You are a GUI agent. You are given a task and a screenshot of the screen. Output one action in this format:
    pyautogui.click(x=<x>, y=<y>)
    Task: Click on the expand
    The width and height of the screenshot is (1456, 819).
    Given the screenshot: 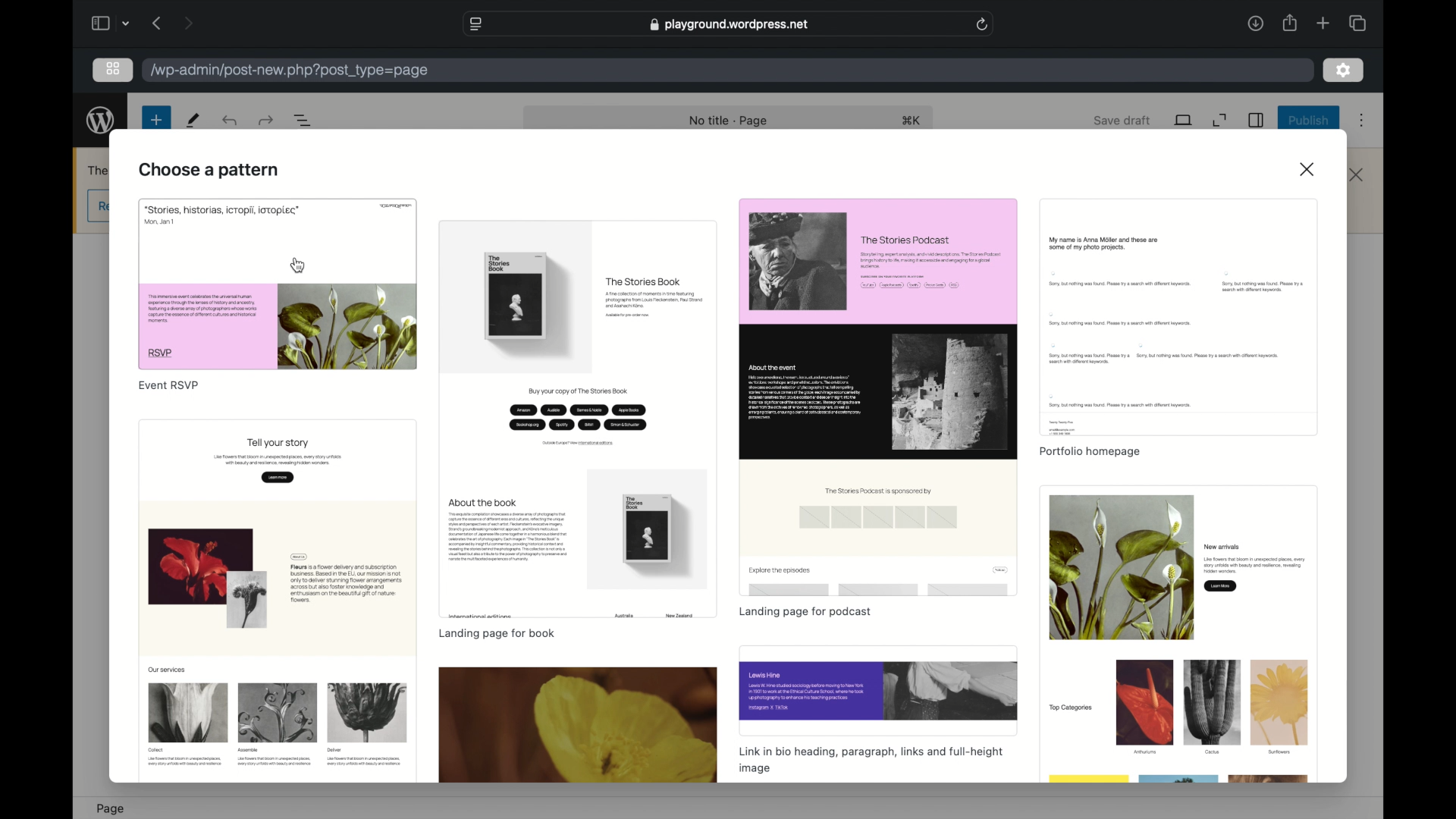 What is the action you would take?
    pyautogui.click(x=1219, y=120)
    